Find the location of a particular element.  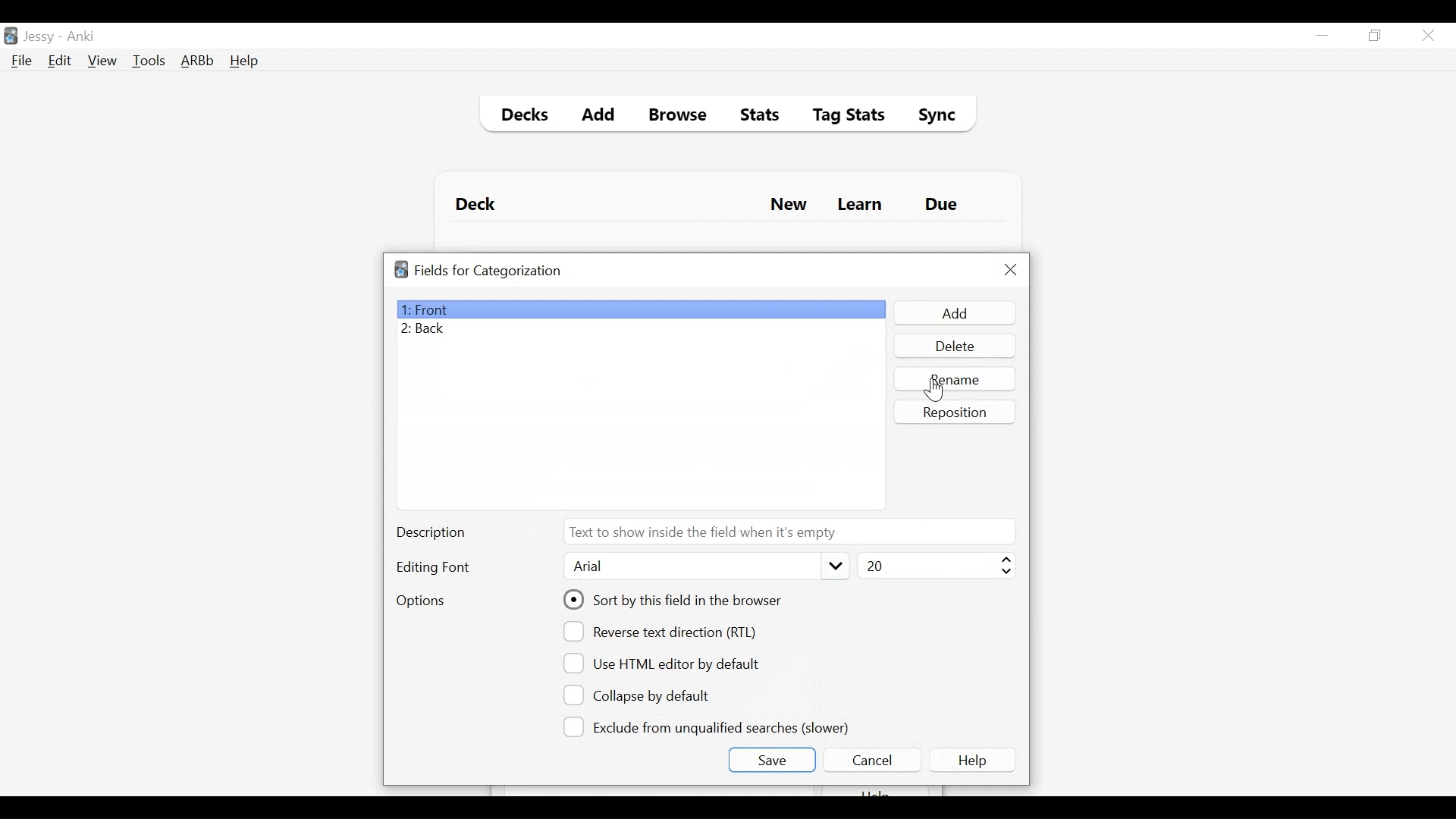

Edit is located at coordinates (58, 62).